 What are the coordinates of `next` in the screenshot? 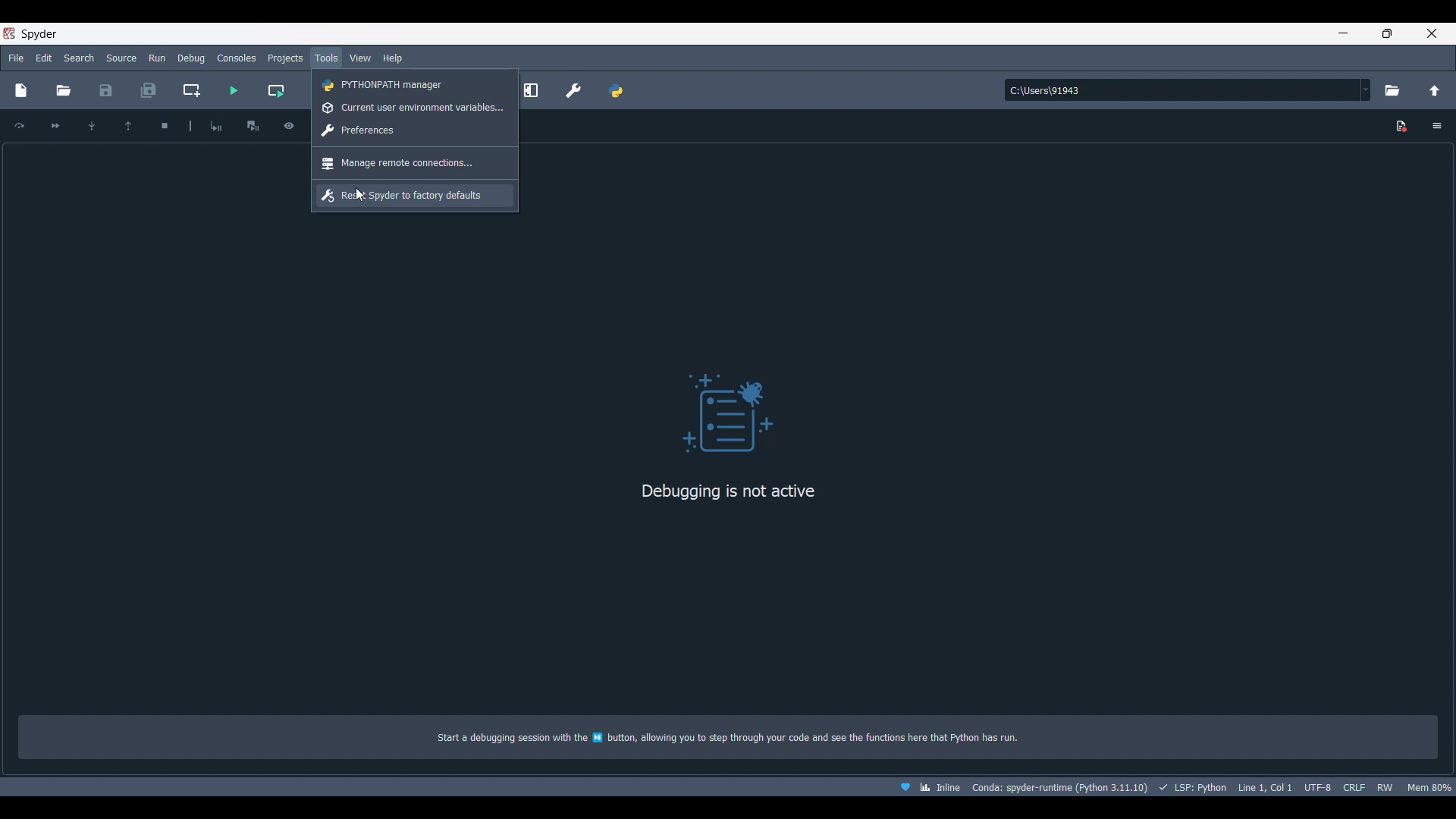 It's located at (217, 125).